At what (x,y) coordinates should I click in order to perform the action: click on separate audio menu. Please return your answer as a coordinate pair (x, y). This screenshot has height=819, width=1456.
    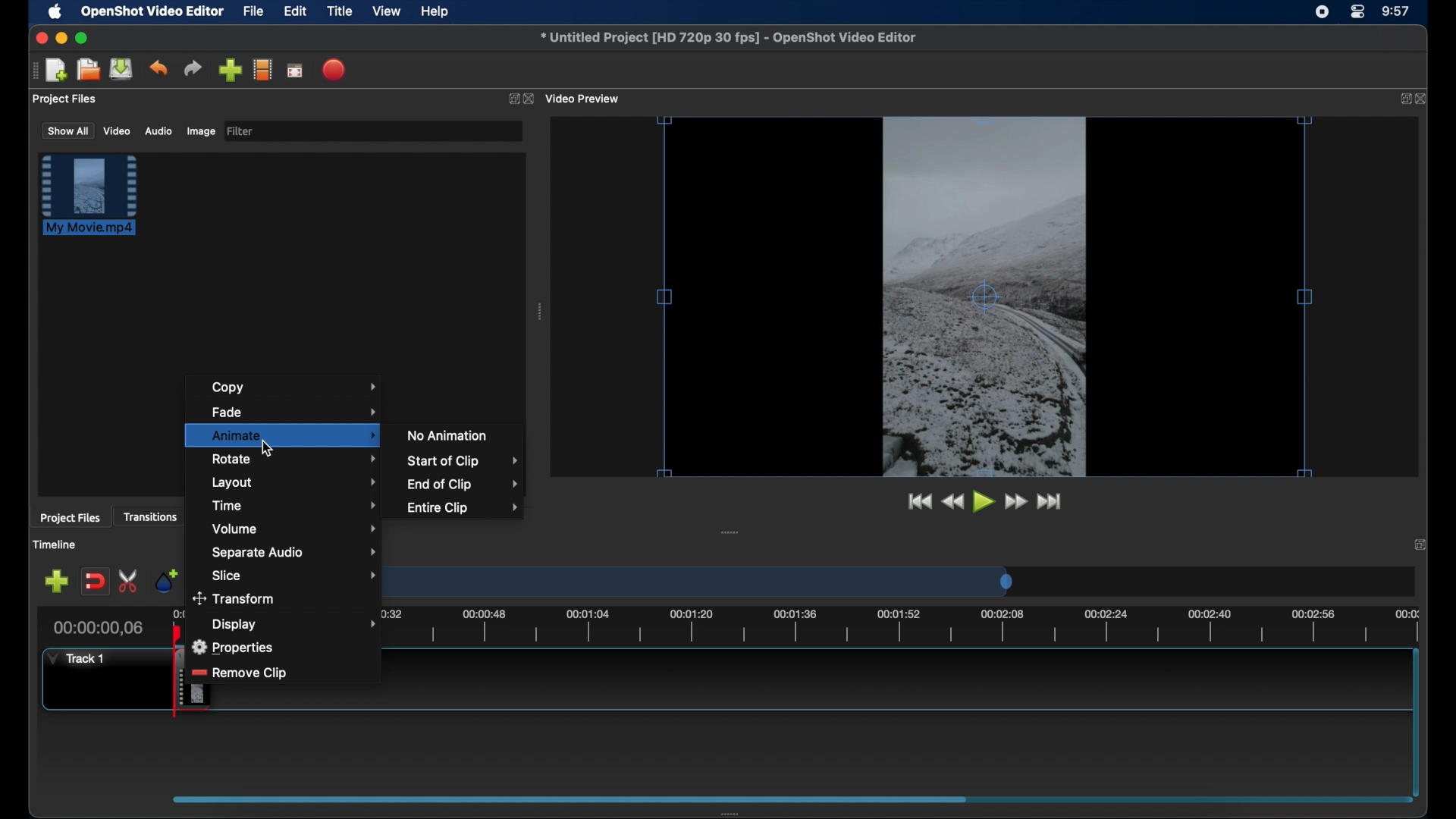
    Looking at the image, I should click on (295, 554).